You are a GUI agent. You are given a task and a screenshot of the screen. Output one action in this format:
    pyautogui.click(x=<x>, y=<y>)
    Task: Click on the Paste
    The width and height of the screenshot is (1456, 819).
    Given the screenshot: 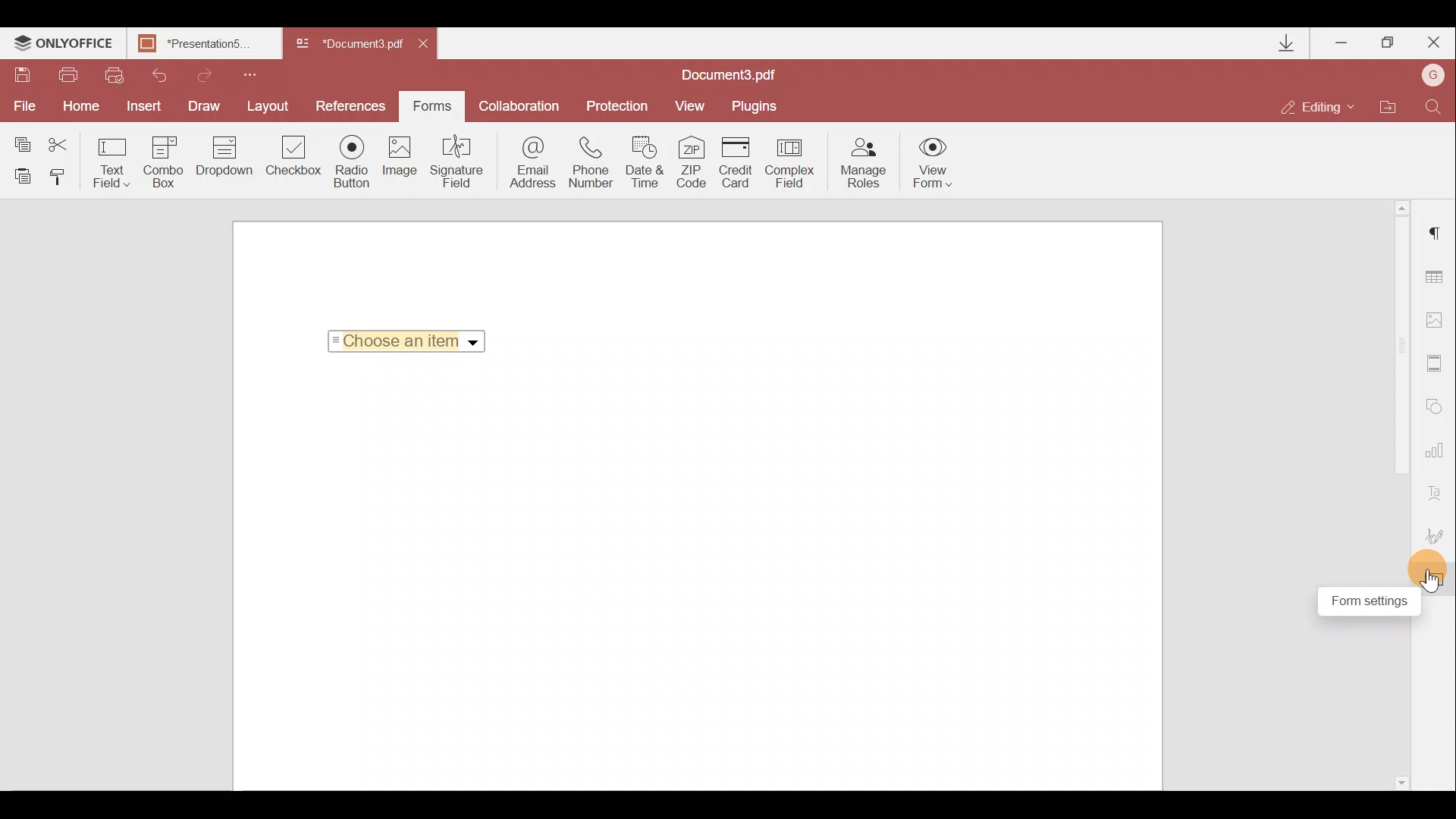 What is the action you would take?
    pyautogui.click(x=23, y=175)
    